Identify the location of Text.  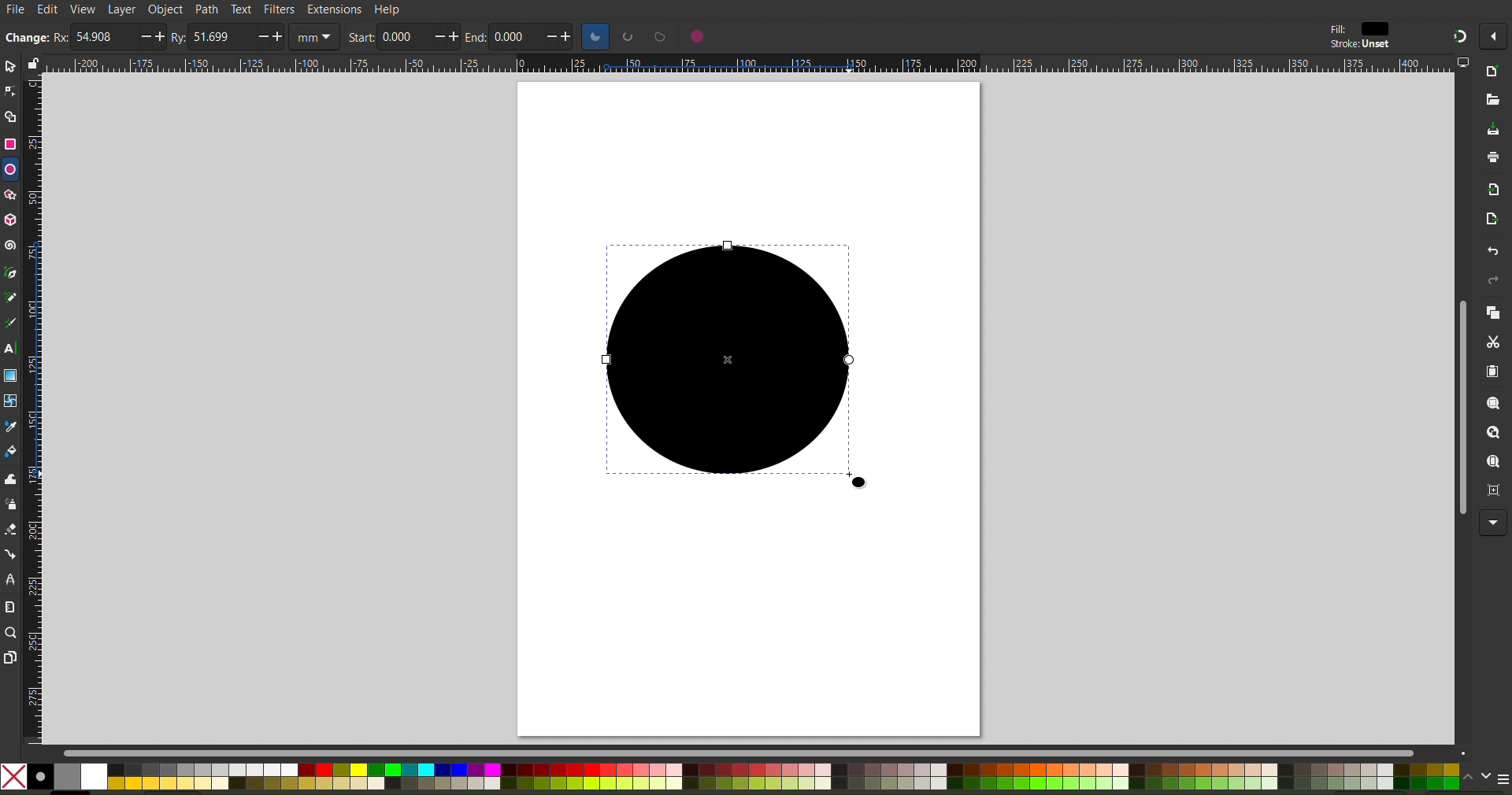
(241, 9).